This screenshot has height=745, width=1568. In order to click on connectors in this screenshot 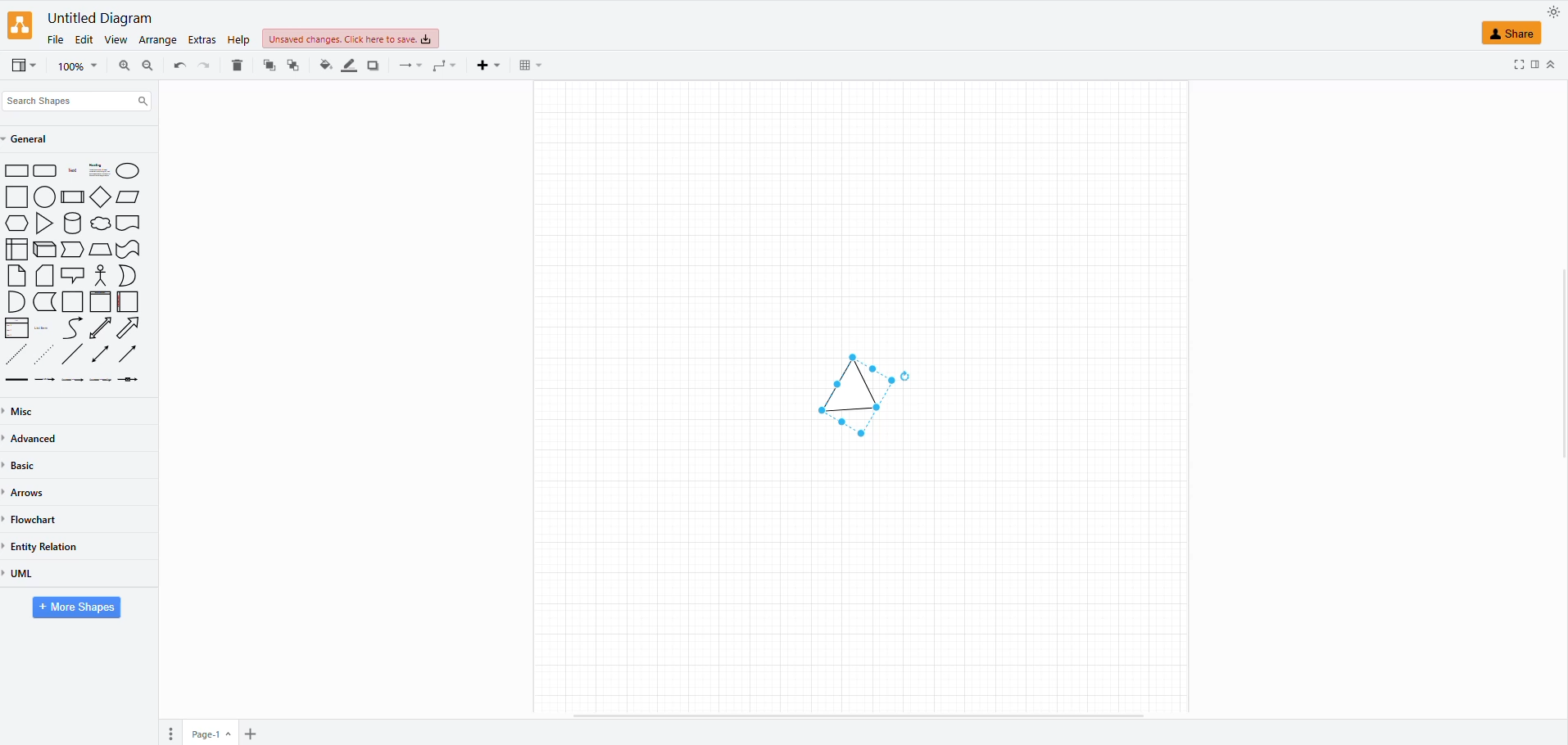, I will do `click(405, 66)`.